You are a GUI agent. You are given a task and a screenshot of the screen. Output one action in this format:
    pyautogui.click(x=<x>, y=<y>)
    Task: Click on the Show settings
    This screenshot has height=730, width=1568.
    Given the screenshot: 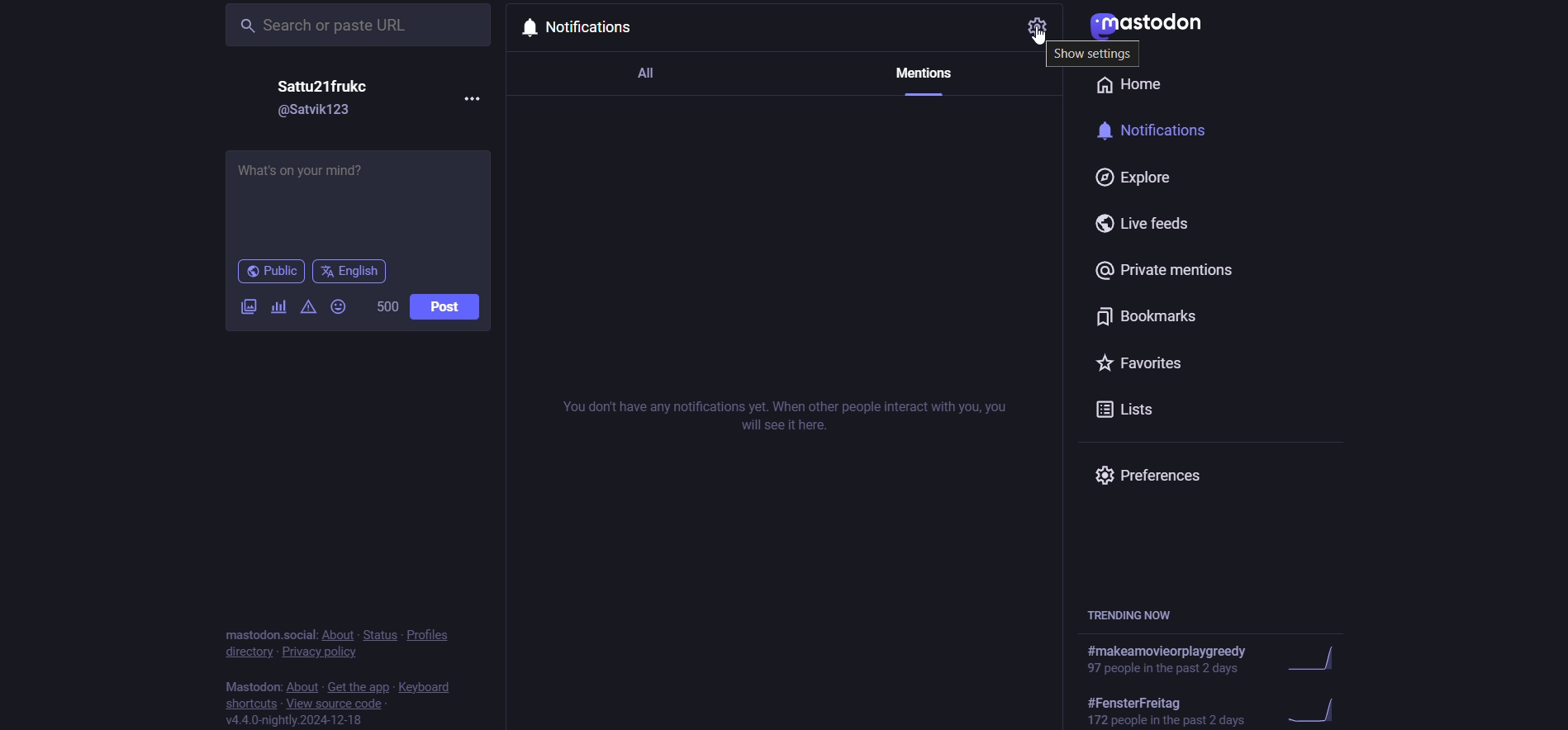 What is the action you would take?
    pyautogui.click(x=1092, y=55)
    